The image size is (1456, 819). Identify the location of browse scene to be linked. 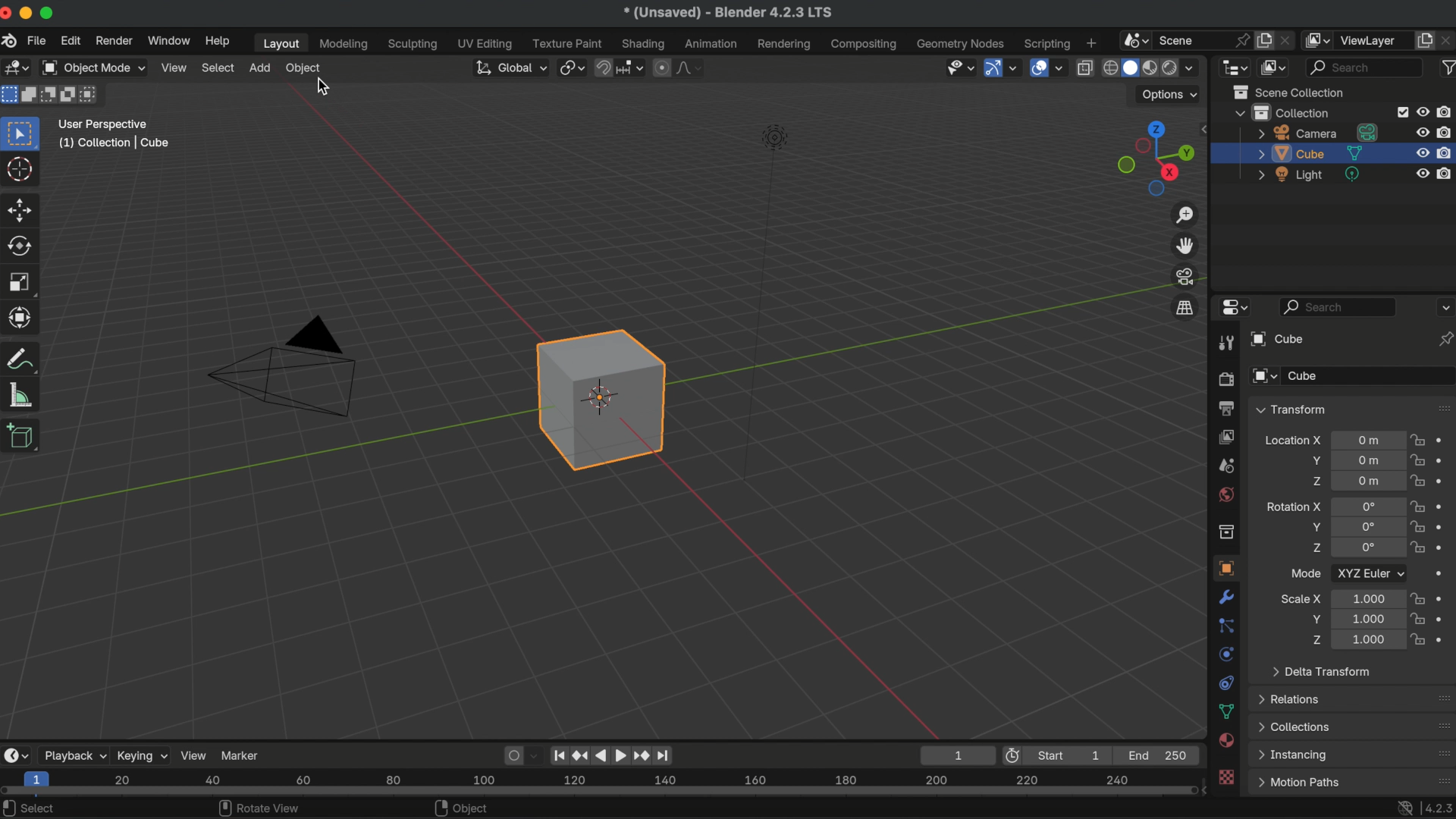
(1134, 39).